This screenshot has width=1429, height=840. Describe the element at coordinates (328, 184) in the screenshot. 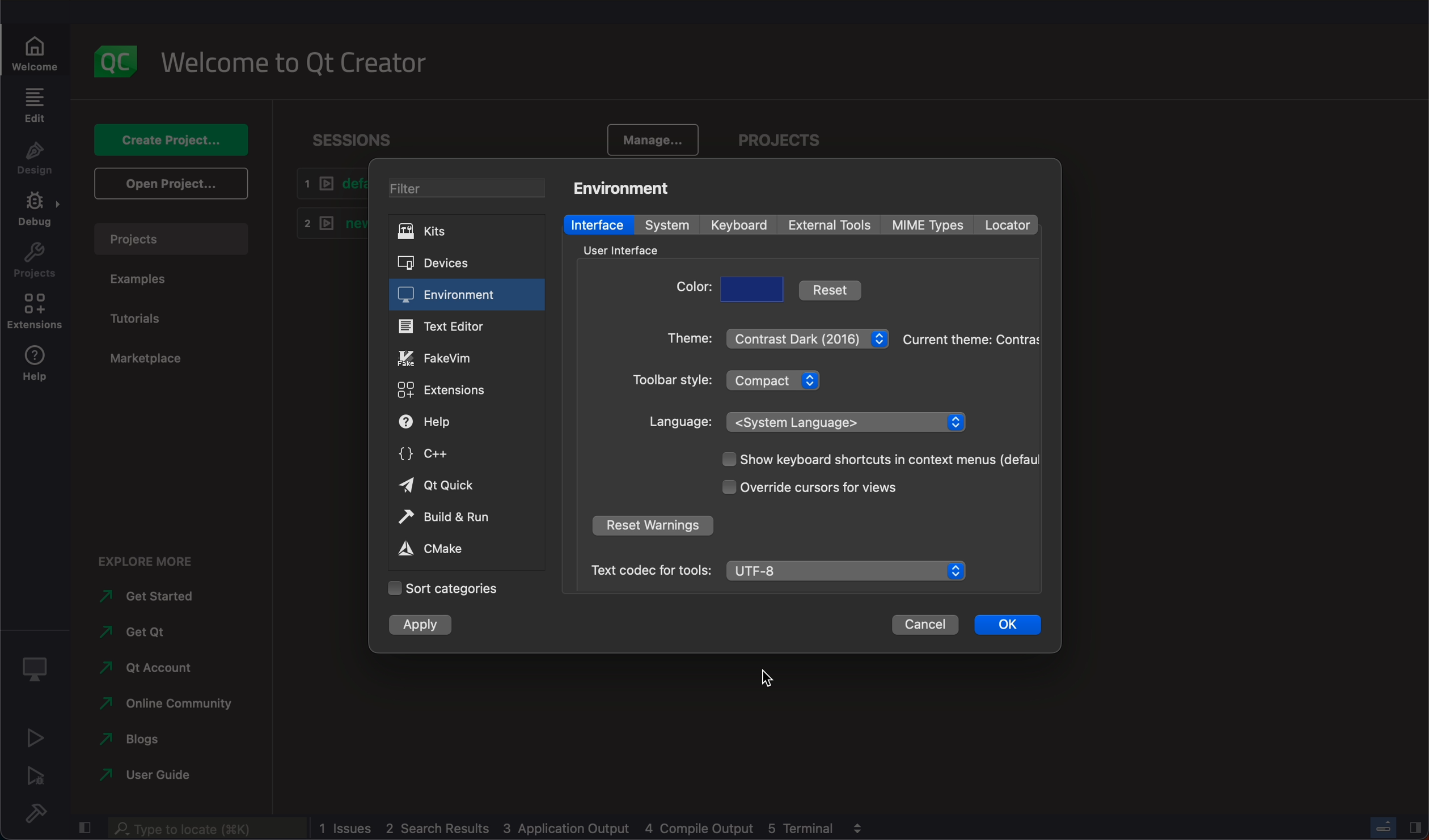

I see `1` at that location.